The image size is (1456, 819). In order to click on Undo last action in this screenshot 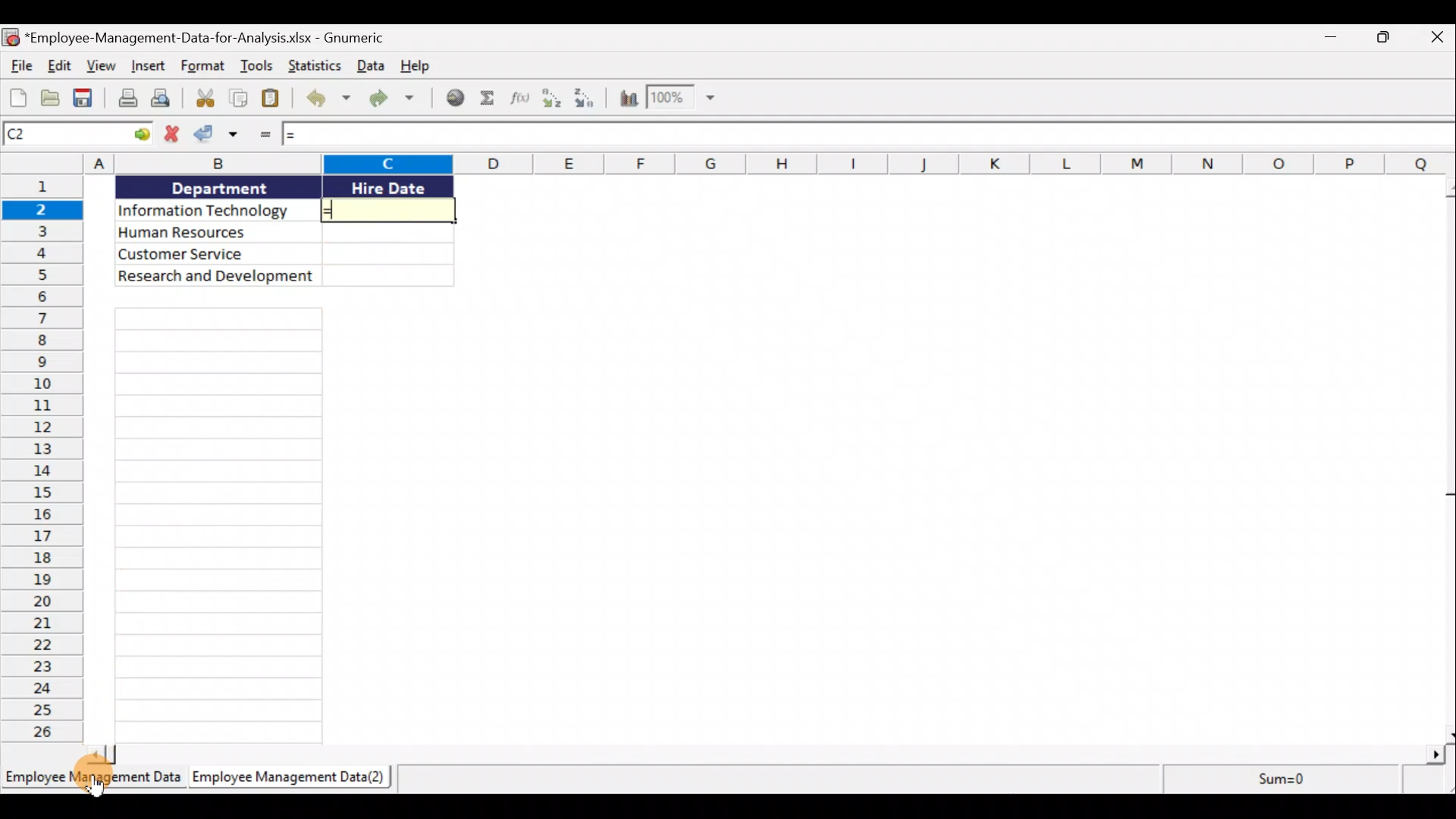, I will do `click(325, 100)`.